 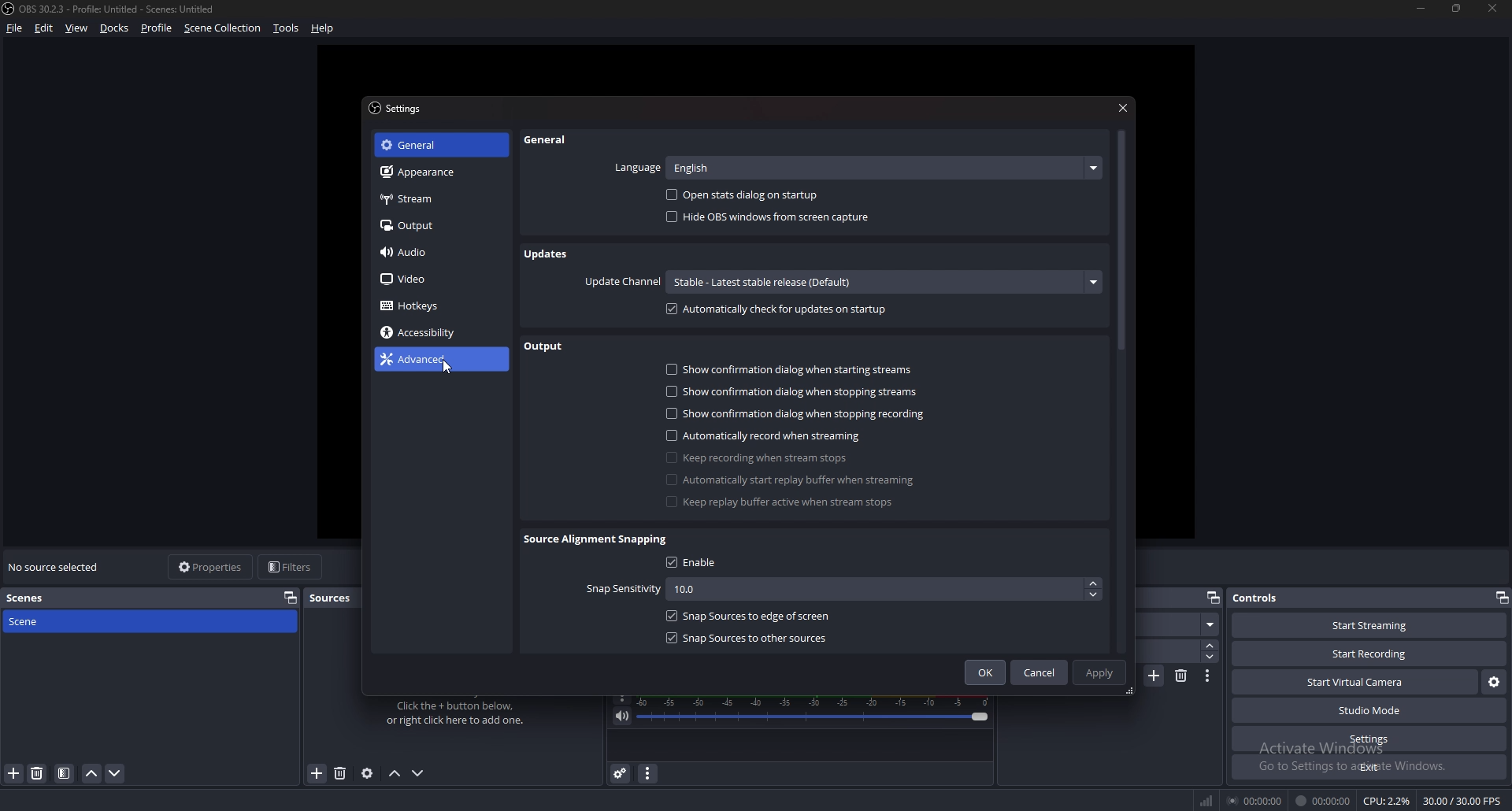 What do you see at coordinates (94, 775) in the screenshot?
I see `move scene up` at bounding box center [94, 775].